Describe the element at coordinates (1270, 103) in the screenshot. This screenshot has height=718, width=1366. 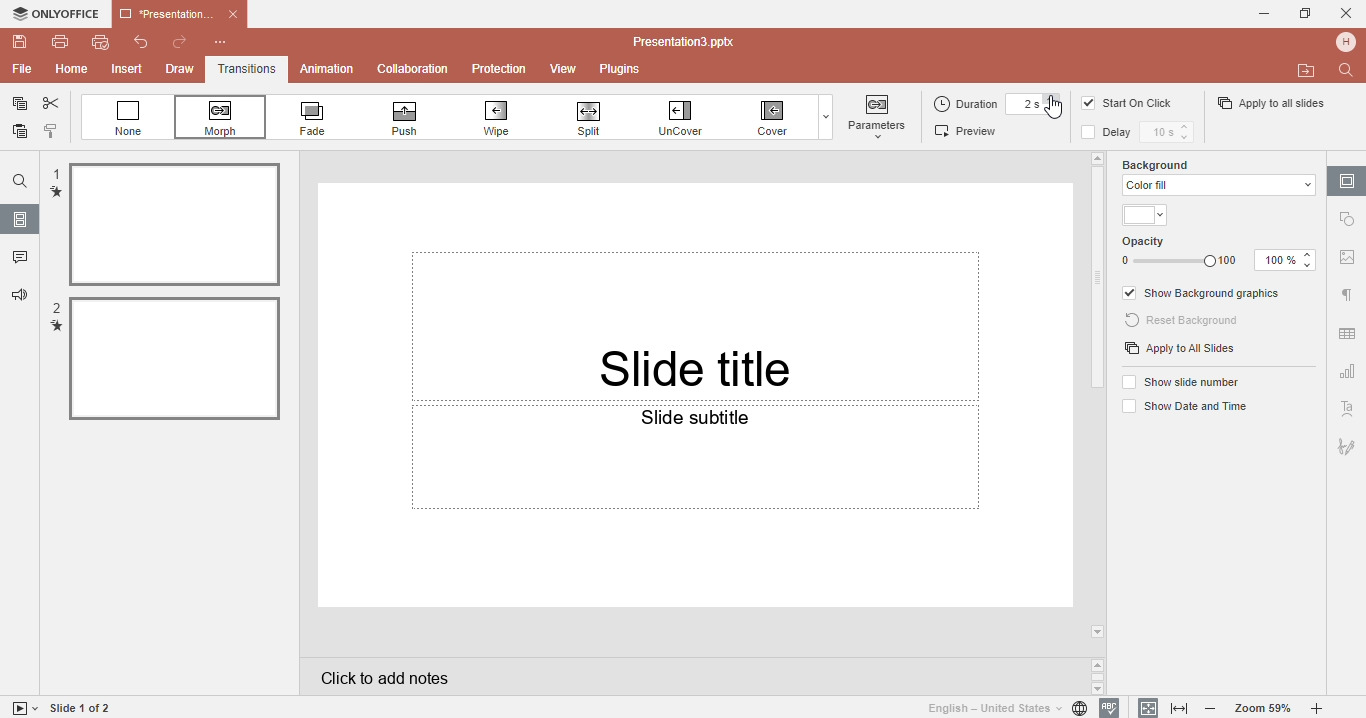
I see `Apply to all slides` at that location.